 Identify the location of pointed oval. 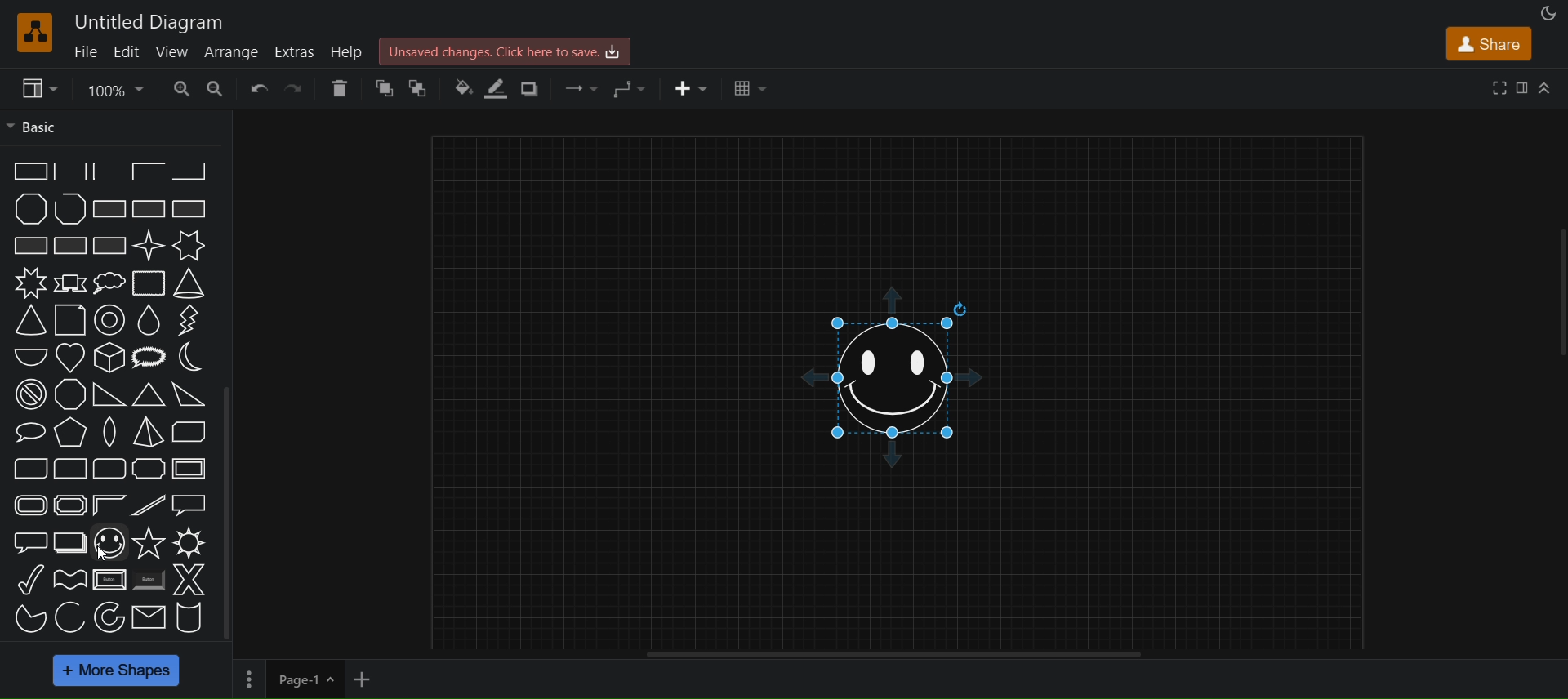
(106, 432).